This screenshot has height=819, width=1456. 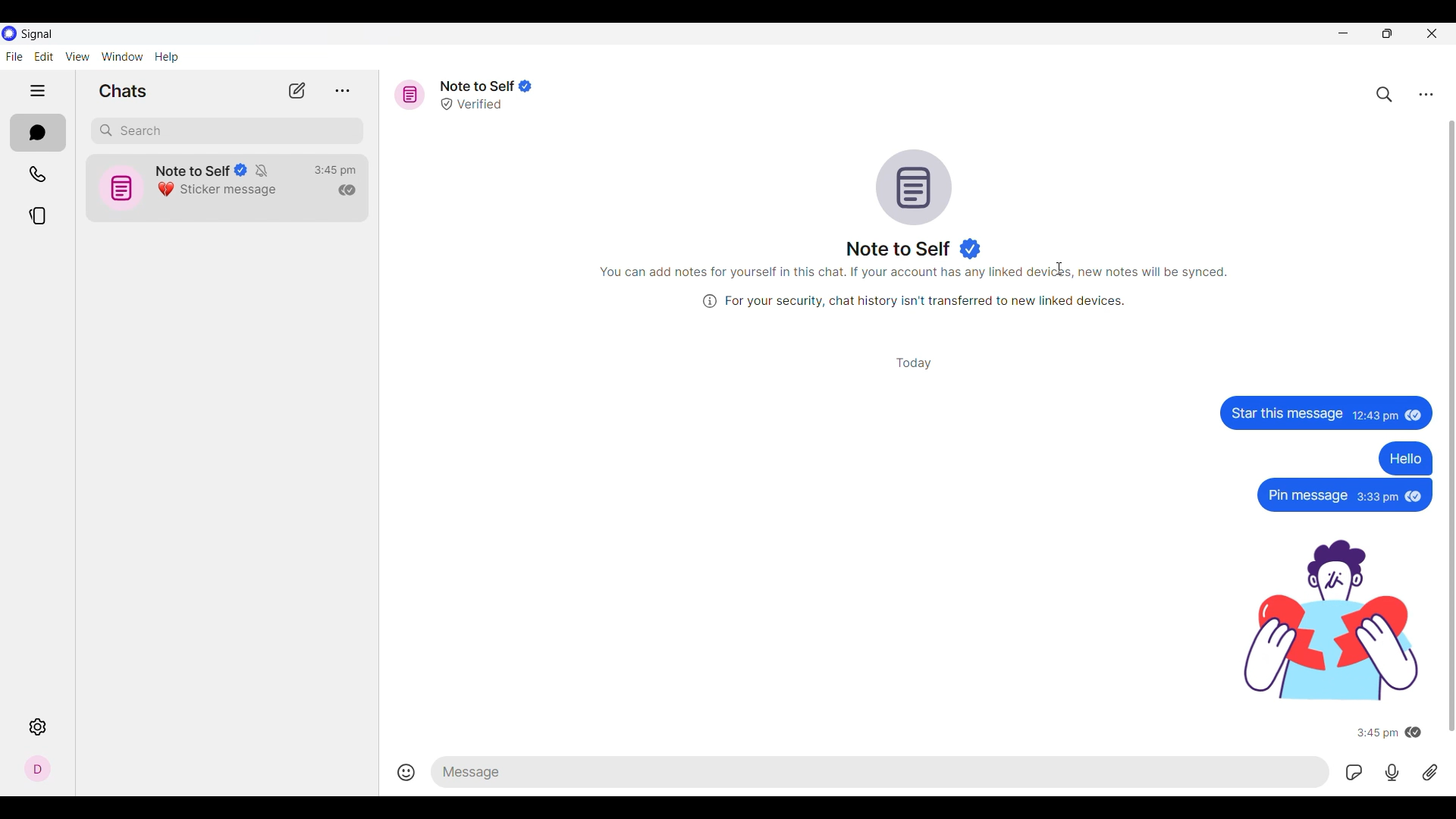 What do you see at coordinates (36, 34) in the screenshot?
I see `Software name` at bounding box center [36, 34].